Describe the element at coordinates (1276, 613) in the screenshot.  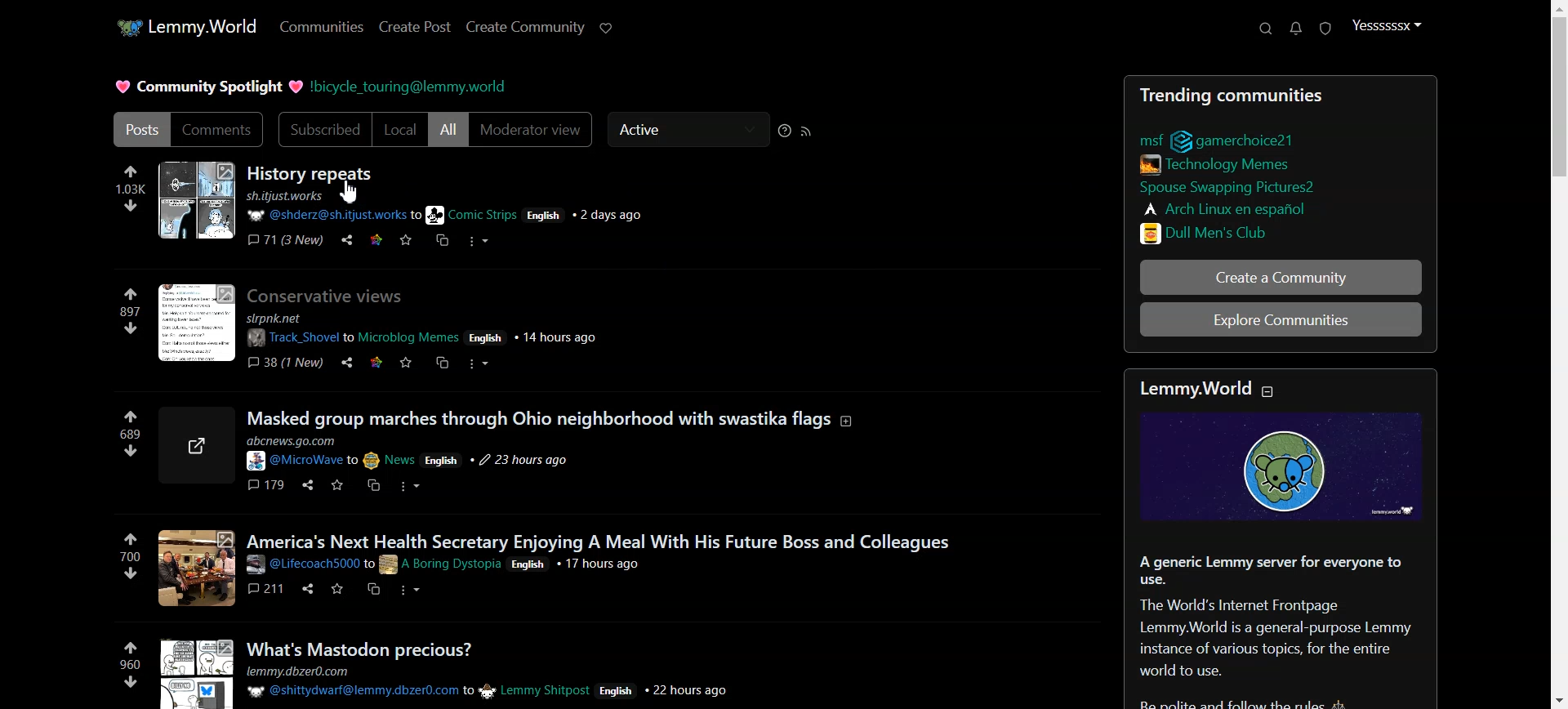
I see `| A generic Lemmy server for everyone touse.The World's Internet FrontpageLemmy.World is a general-purpose Lemmyinstance of various topics, for the entire world to use.` at that location.